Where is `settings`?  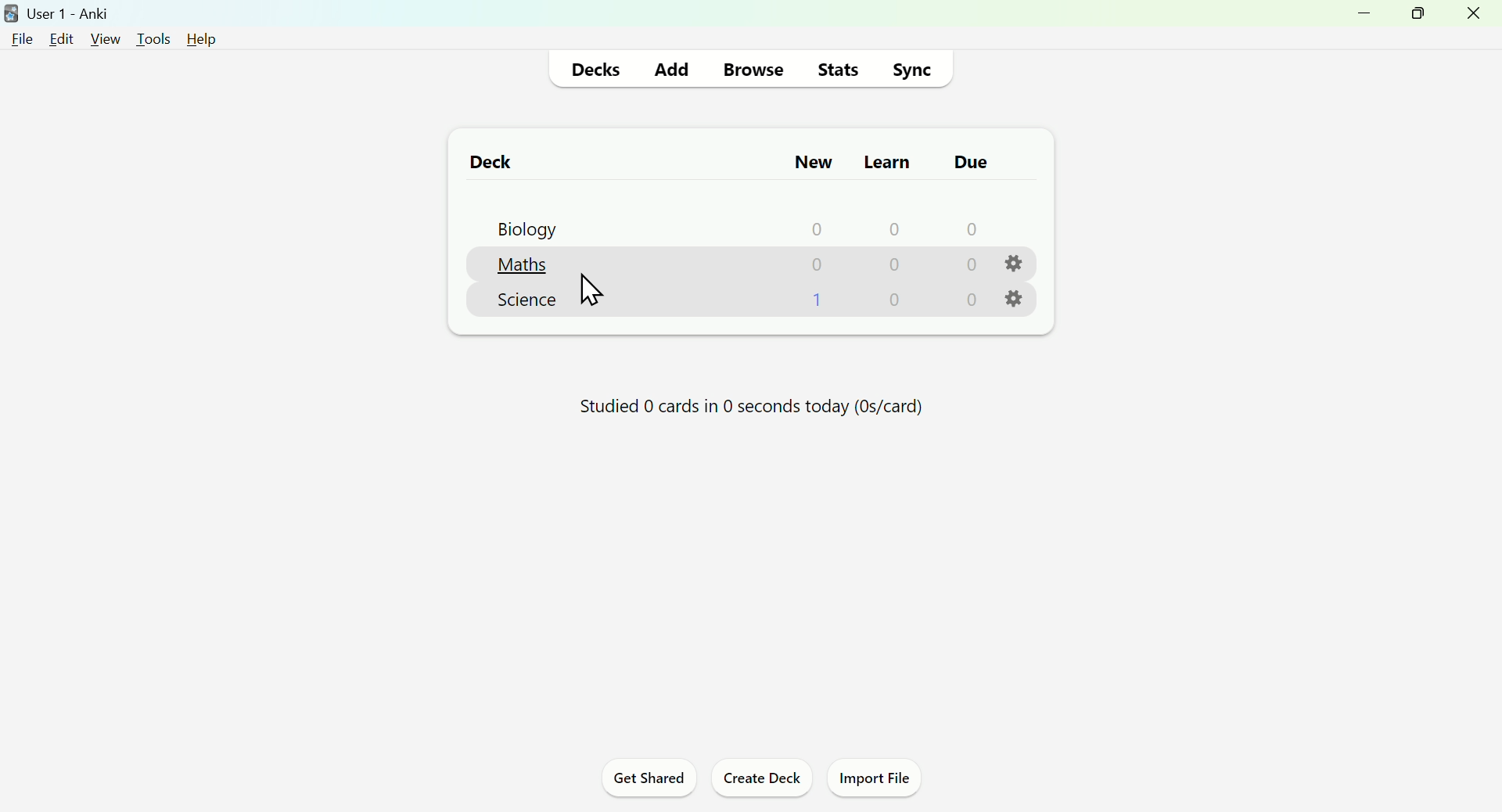 settings is located at coordinates (1023, 265).